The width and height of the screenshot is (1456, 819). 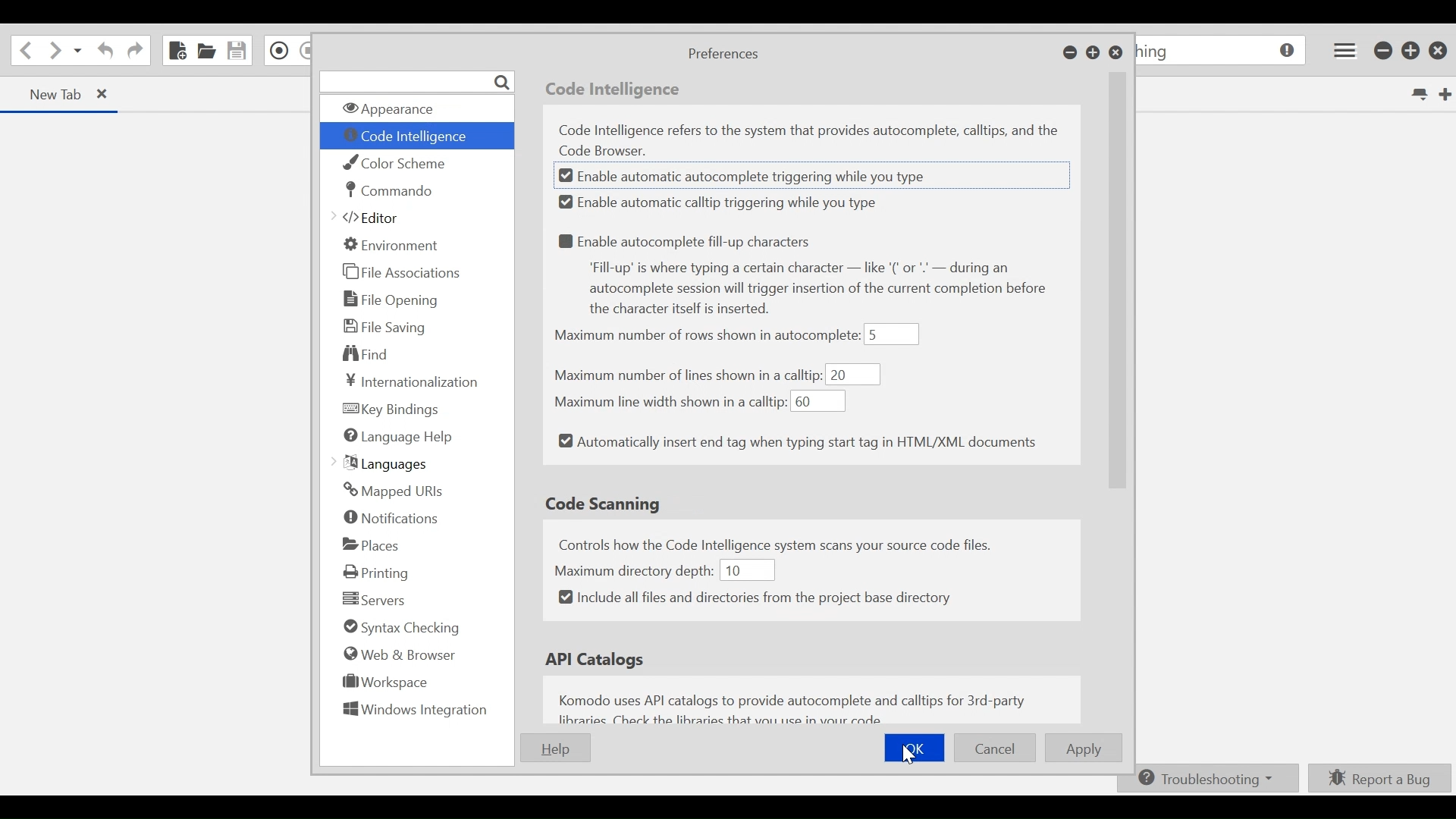 I want to click on Include all files and directories from the project base directory, so click(x=755, y=598).